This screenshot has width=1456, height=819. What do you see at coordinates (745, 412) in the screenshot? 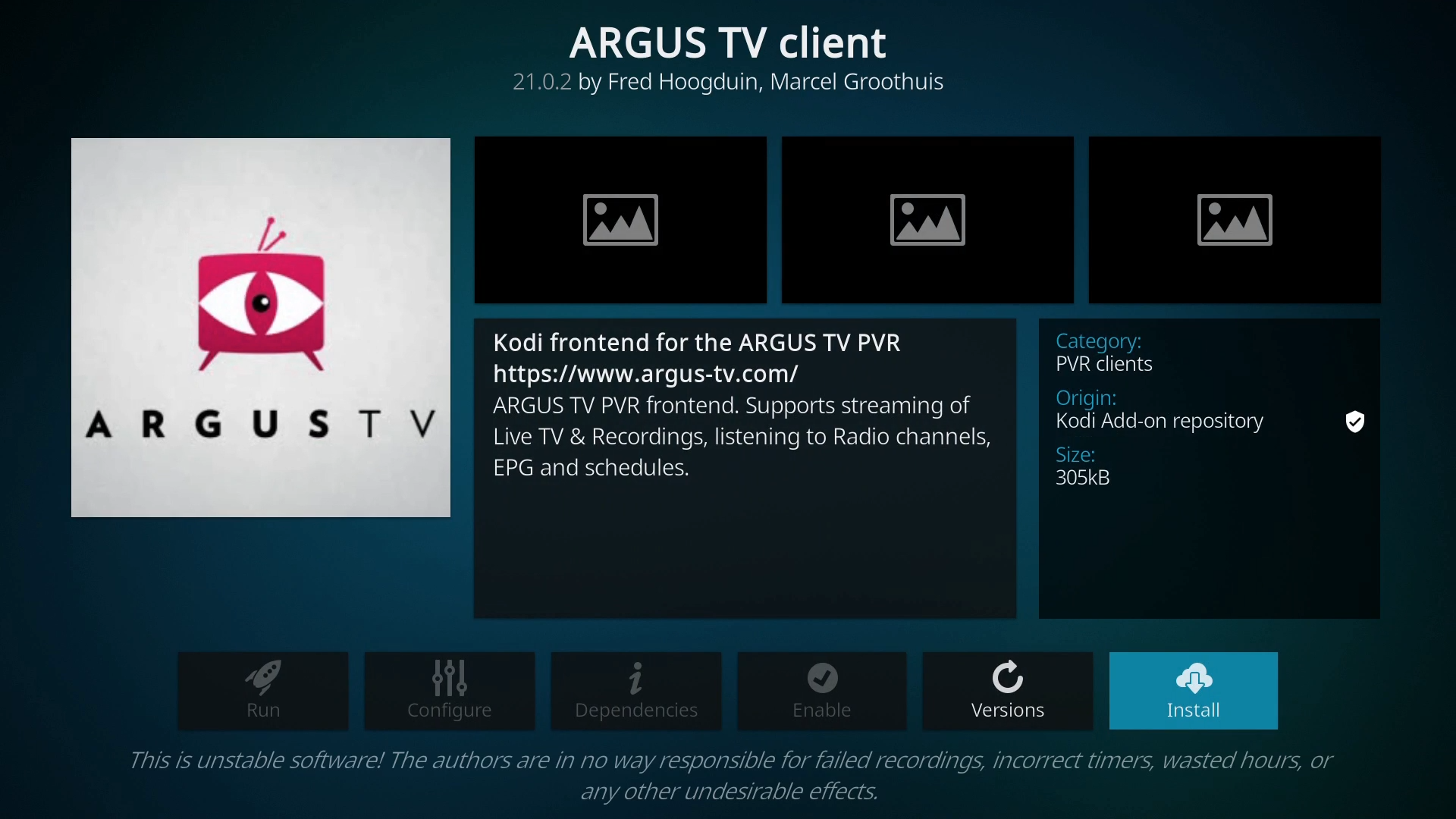
I see `Kodi frontend for the ARGUS TV PVR
https://www.argus-tv.com/

ARGUS TV PVR frontend. Supports streaming of
Live TV & Recordings, listening to Radio channels,
EPG and schedules.` at bounding box center [745, 412].